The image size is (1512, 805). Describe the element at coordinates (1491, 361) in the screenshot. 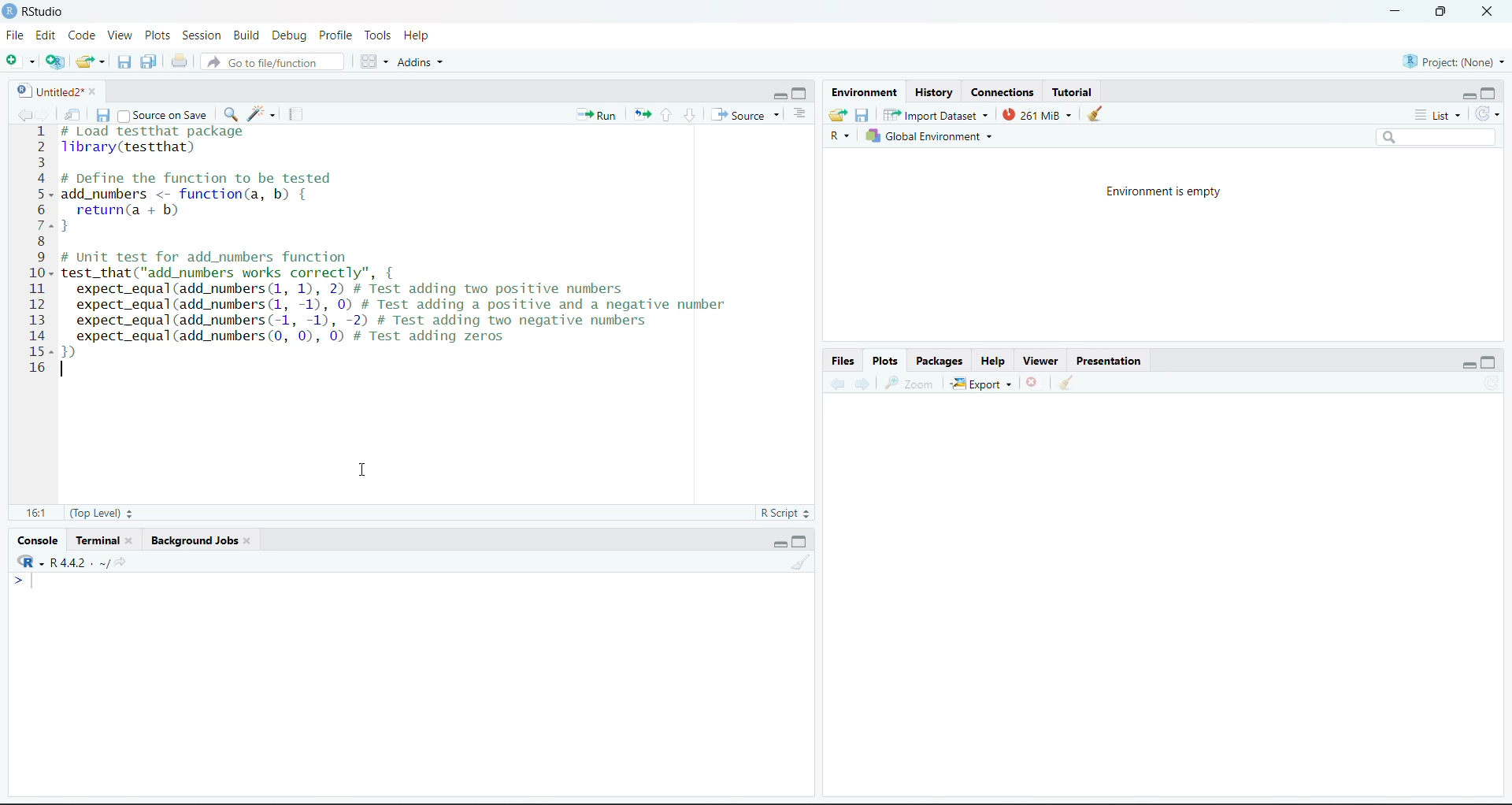

I see `maximize` at that location.